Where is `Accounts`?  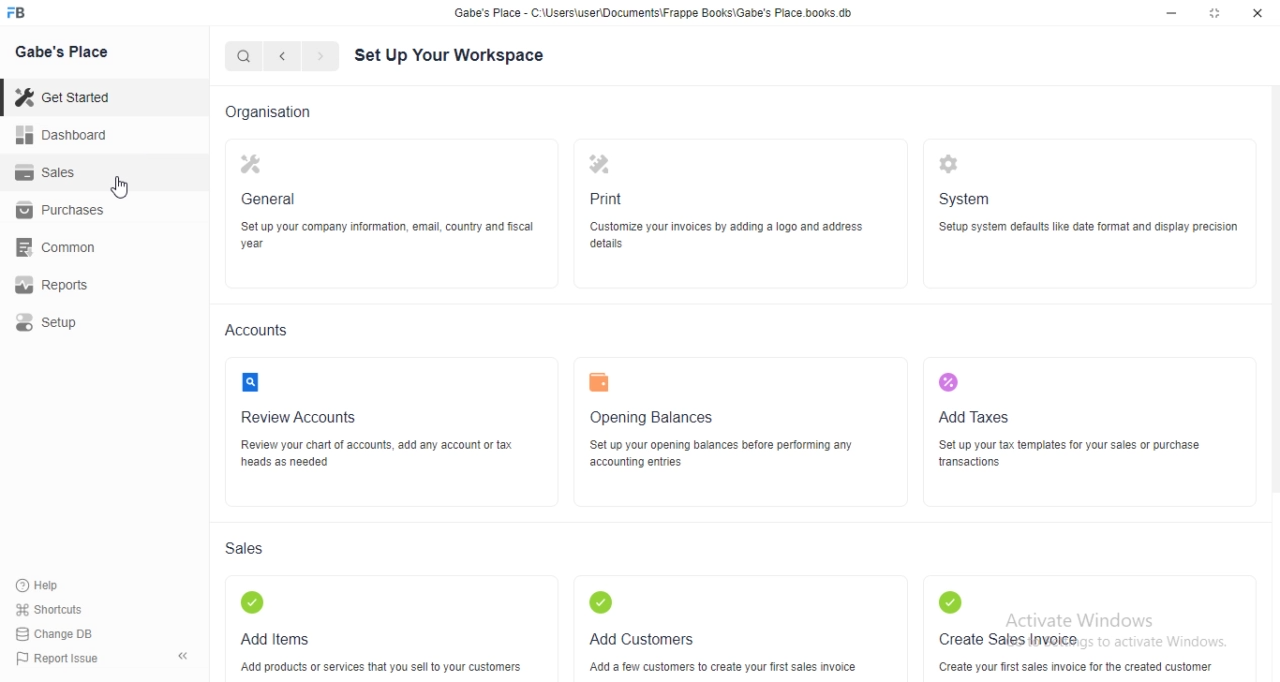 Accounts is located at coordinates (273, 331).